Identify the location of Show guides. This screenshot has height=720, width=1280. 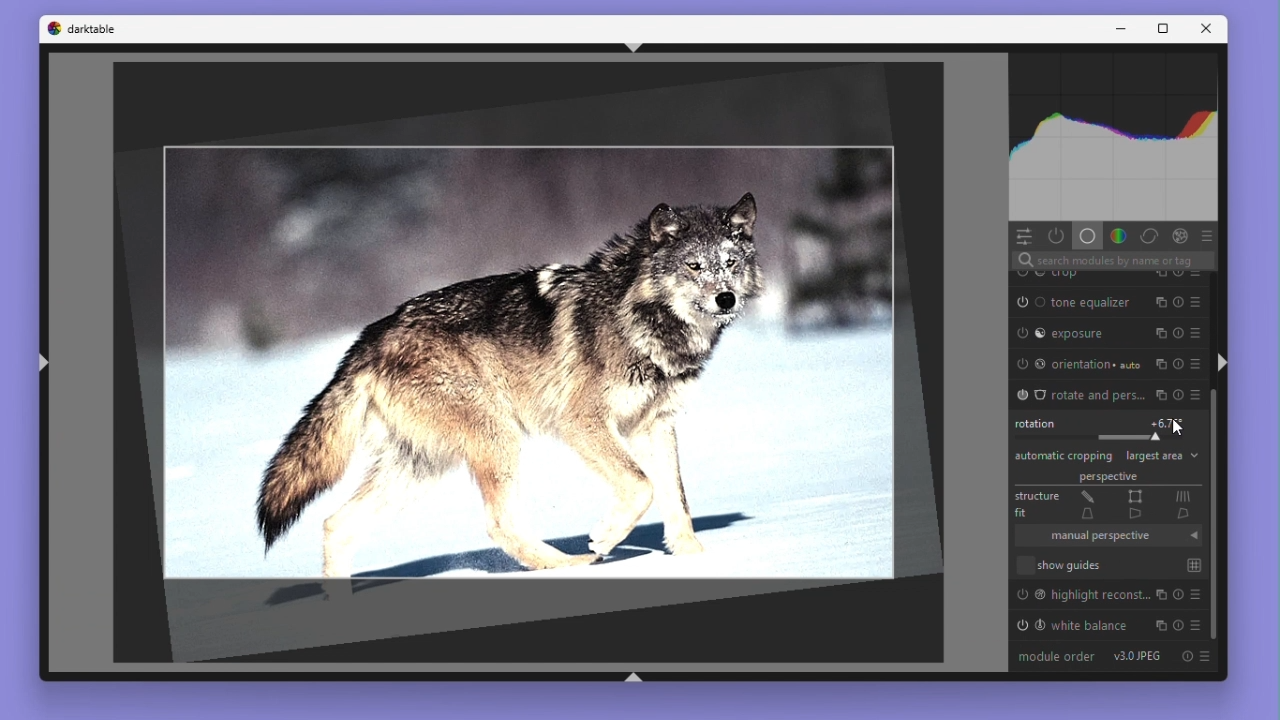
(1106, 566).